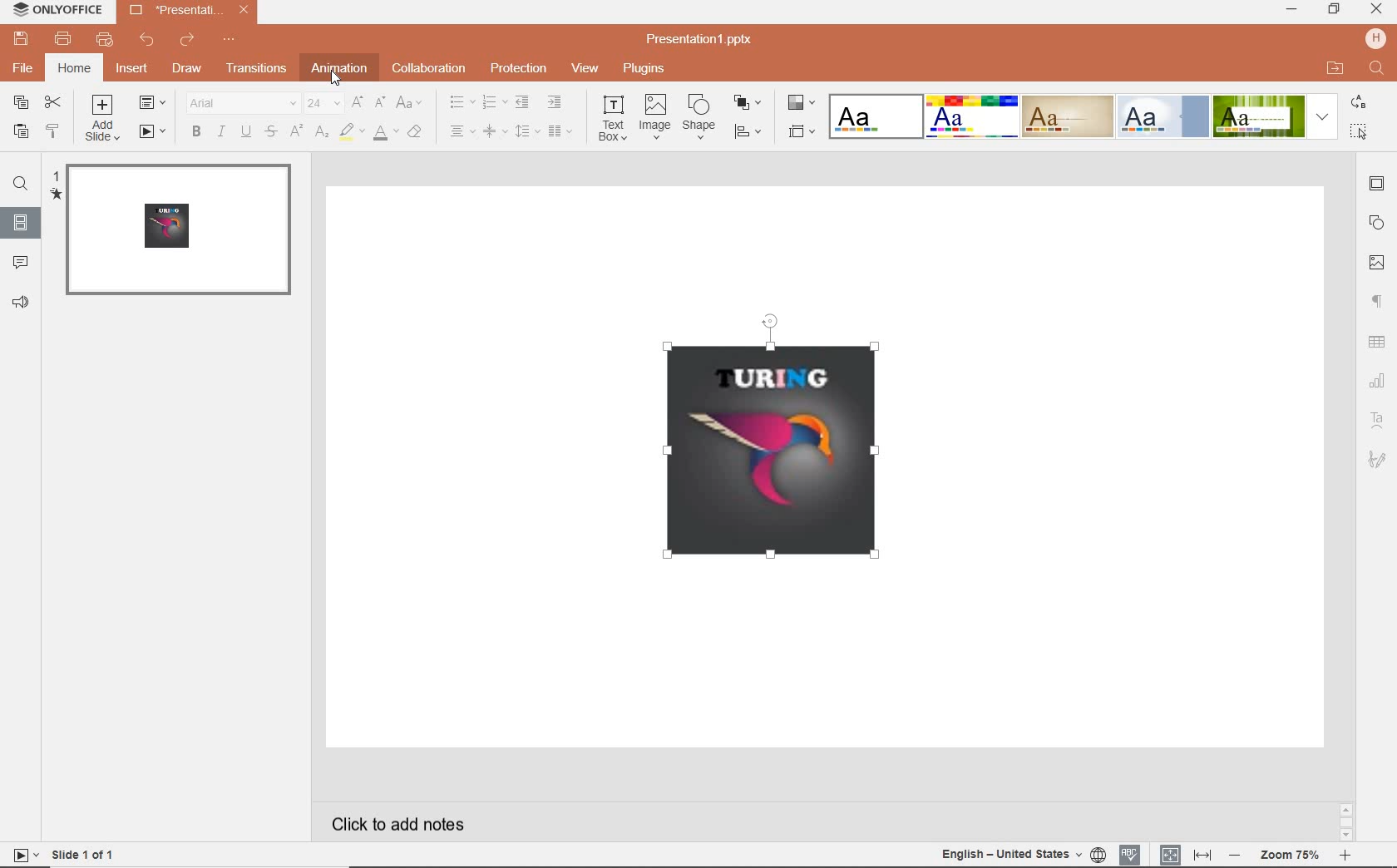 The width and height of the screenshot is (1397, 868). What do you see at coordinates (102, 118) in the screenshot?
I see `add slide` at bounding box center [102, 118].